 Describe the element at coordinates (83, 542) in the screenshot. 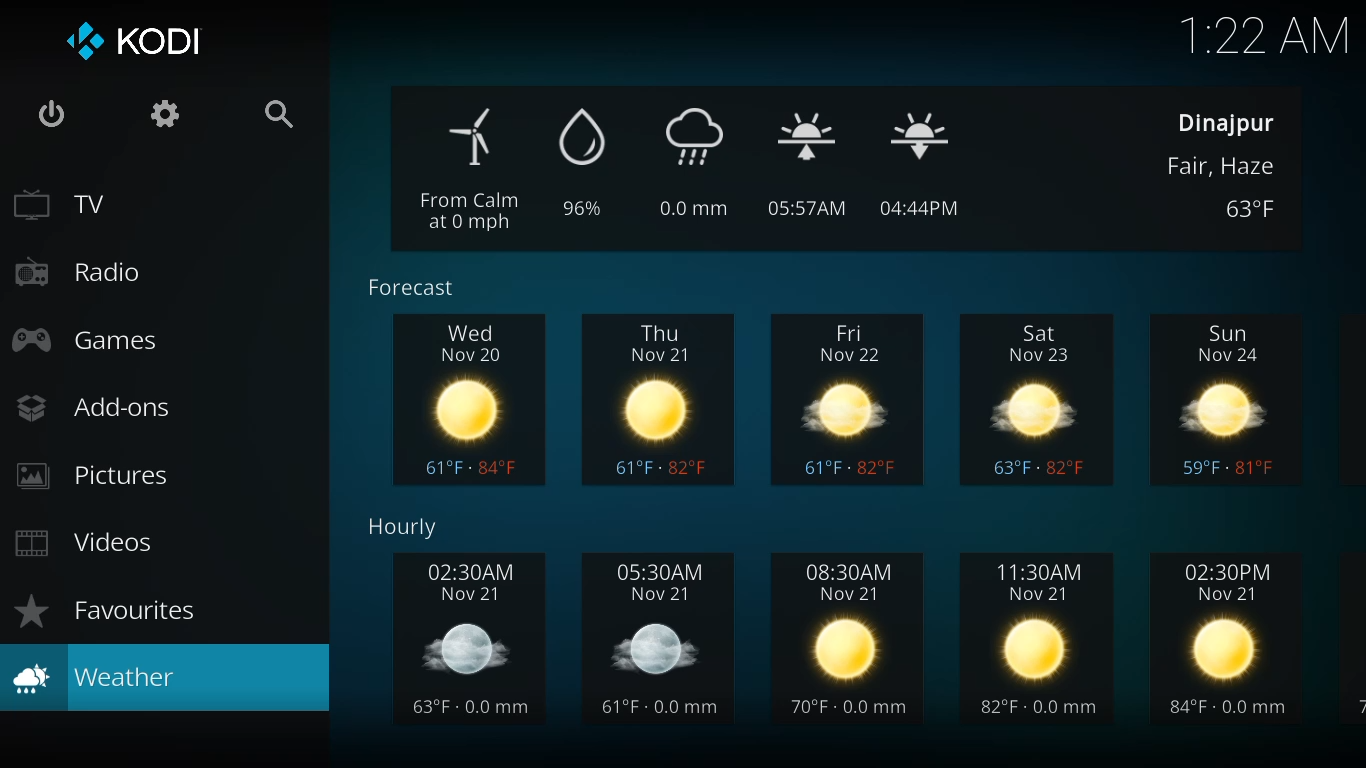

I see `videos` at that location.